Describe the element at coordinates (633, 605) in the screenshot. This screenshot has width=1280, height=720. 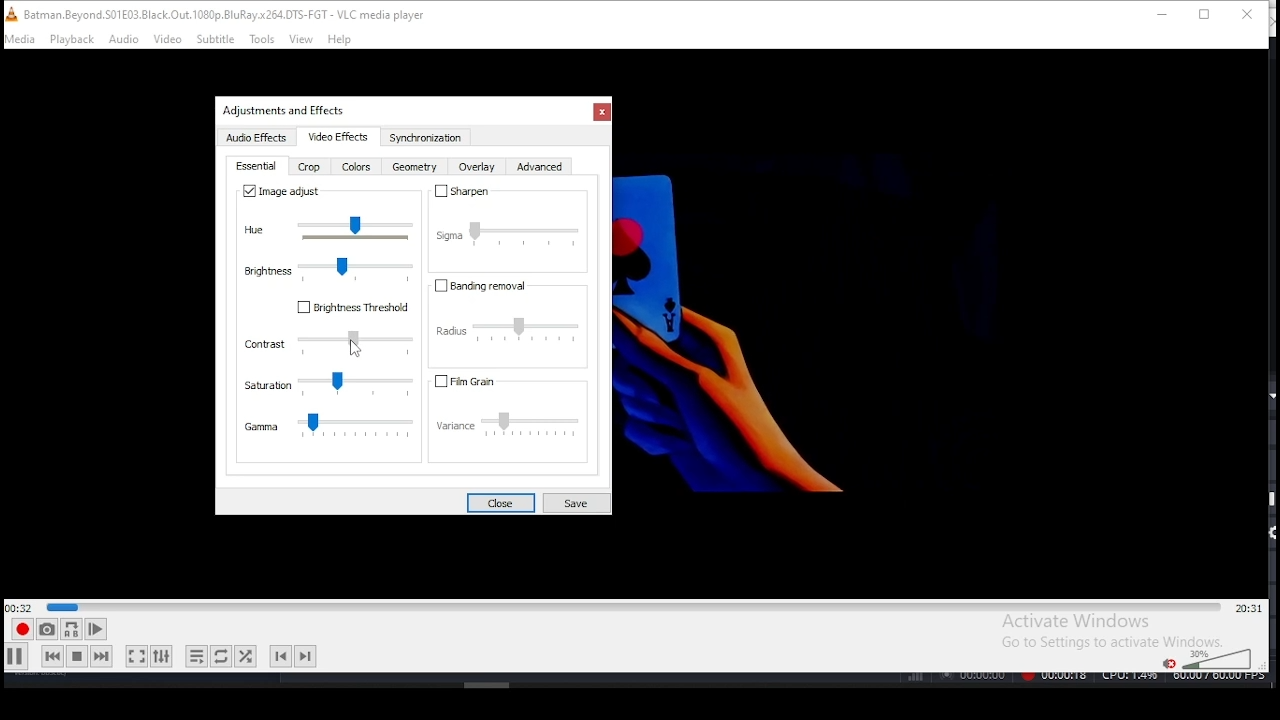
I see `seek bar` at that location.